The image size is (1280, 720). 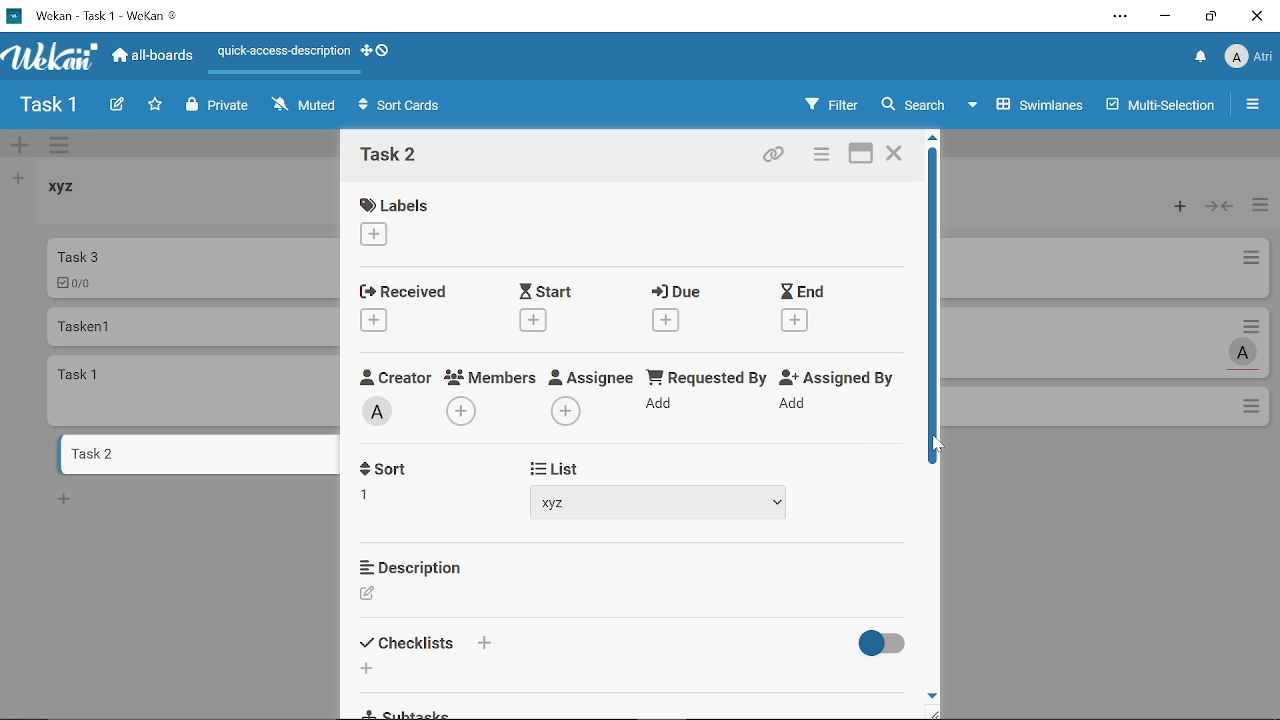 What do you see at coordinates (396, 376) in the screenshot?
I see `Creator` at bounding box center [396, 376].